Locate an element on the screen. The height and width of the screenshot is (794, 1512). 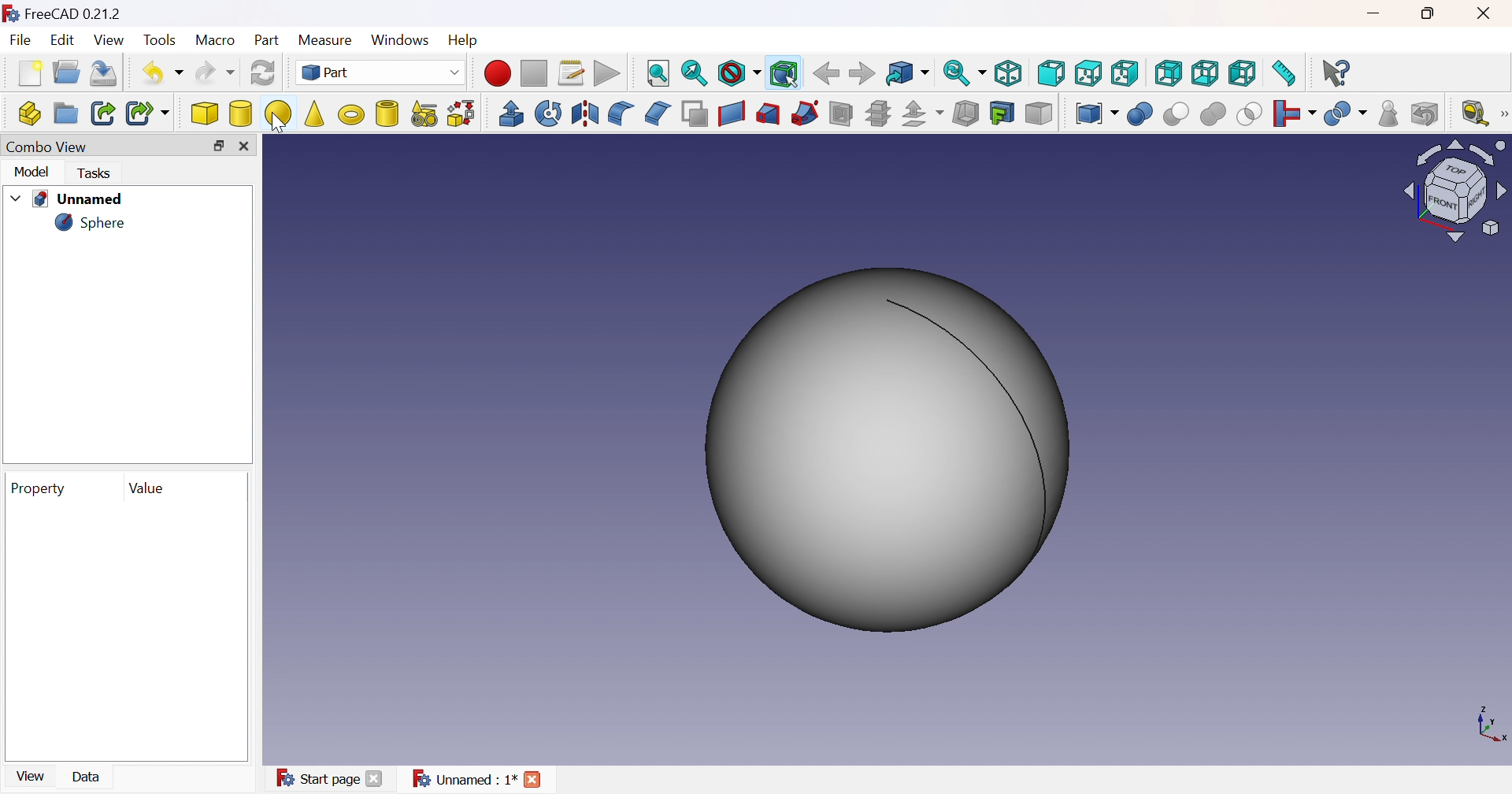
Front is located at coordinates (1052, 72).